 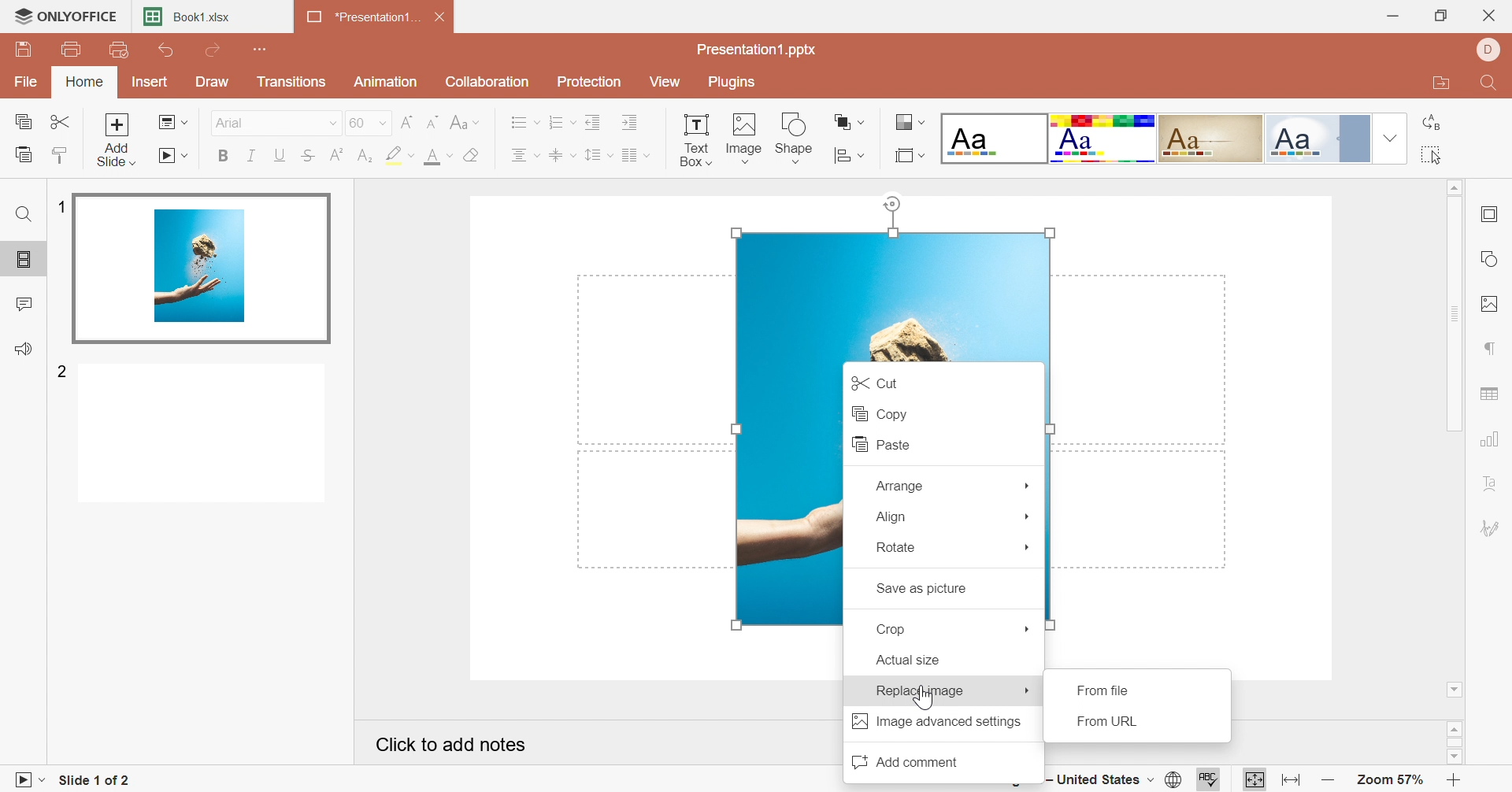 I want to click on Drop Down, so click(x=1029, y=515).